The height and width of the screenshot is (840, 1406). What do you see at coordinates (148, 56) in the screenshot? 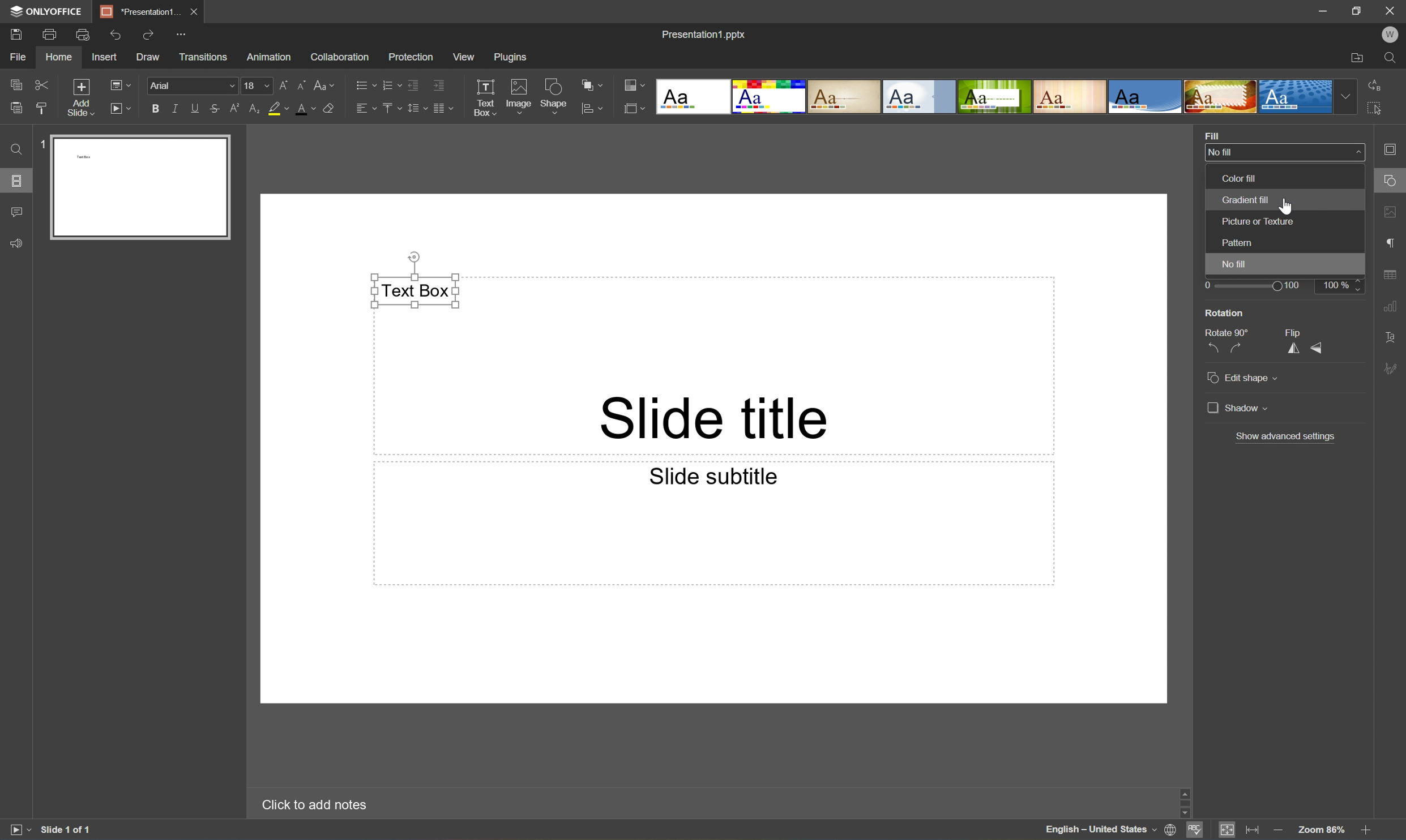
I see `Draw` at bounding box center [148, 56].